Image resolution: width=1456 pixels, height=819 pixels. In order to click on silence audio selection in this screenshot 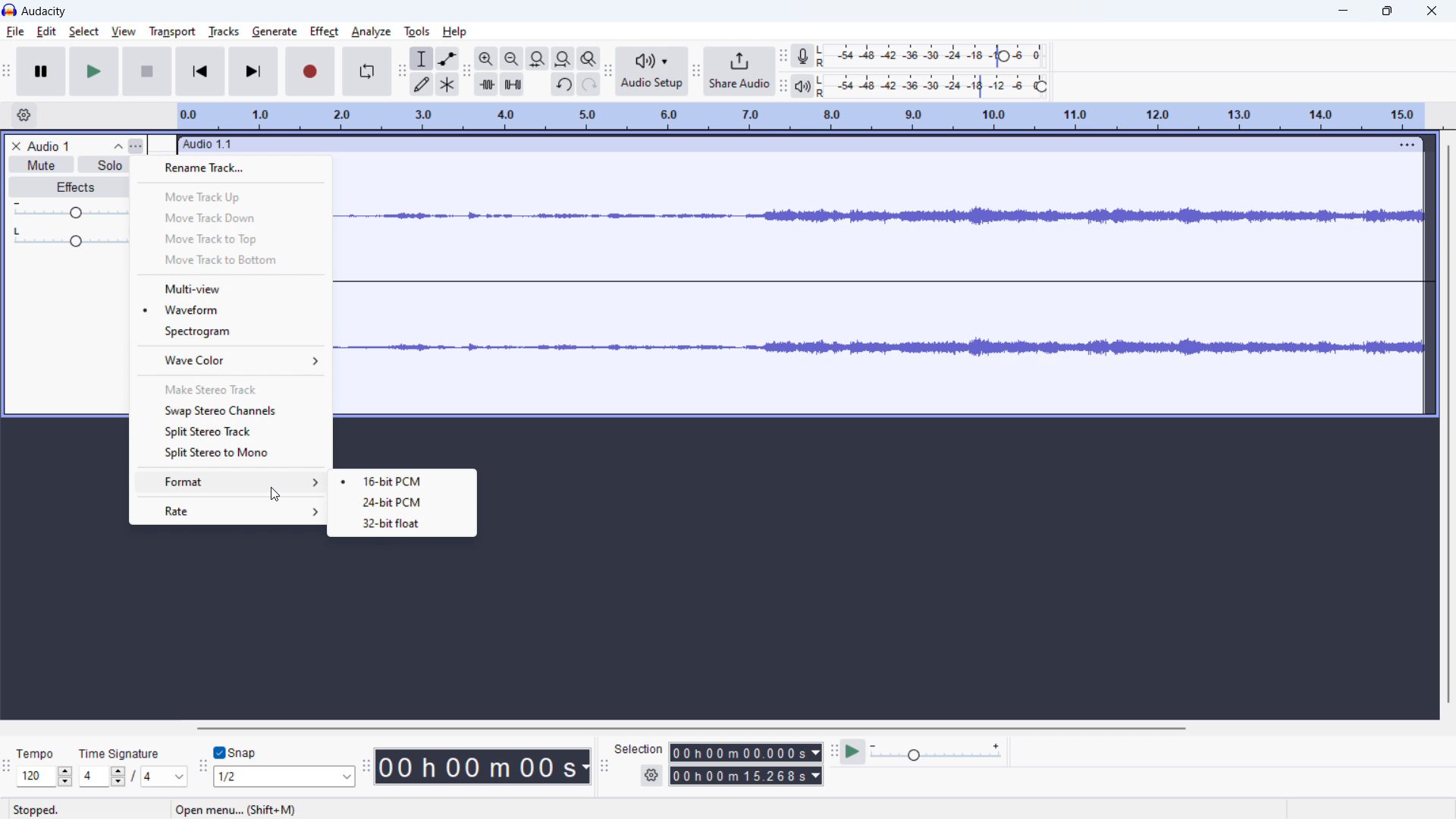, I will do `click(512, 84)`.